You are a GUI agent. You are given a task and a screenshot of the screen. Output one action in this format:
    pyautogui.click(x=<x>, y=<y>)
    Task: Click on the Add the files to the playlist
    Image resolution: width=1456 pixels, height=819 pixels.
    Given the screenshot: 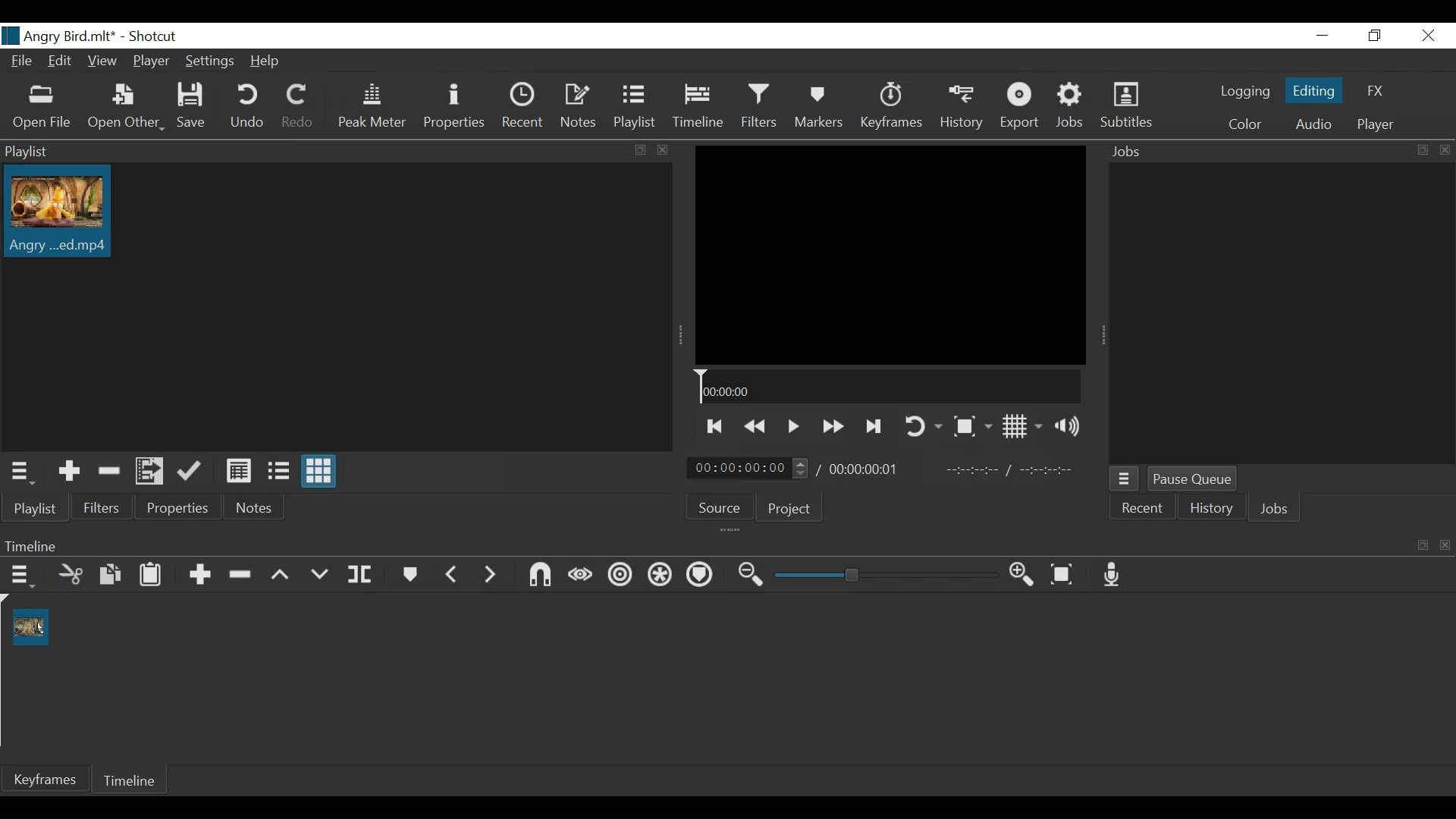 What is the action you would take?
    pyautogui.click(x=149, y=470)
    